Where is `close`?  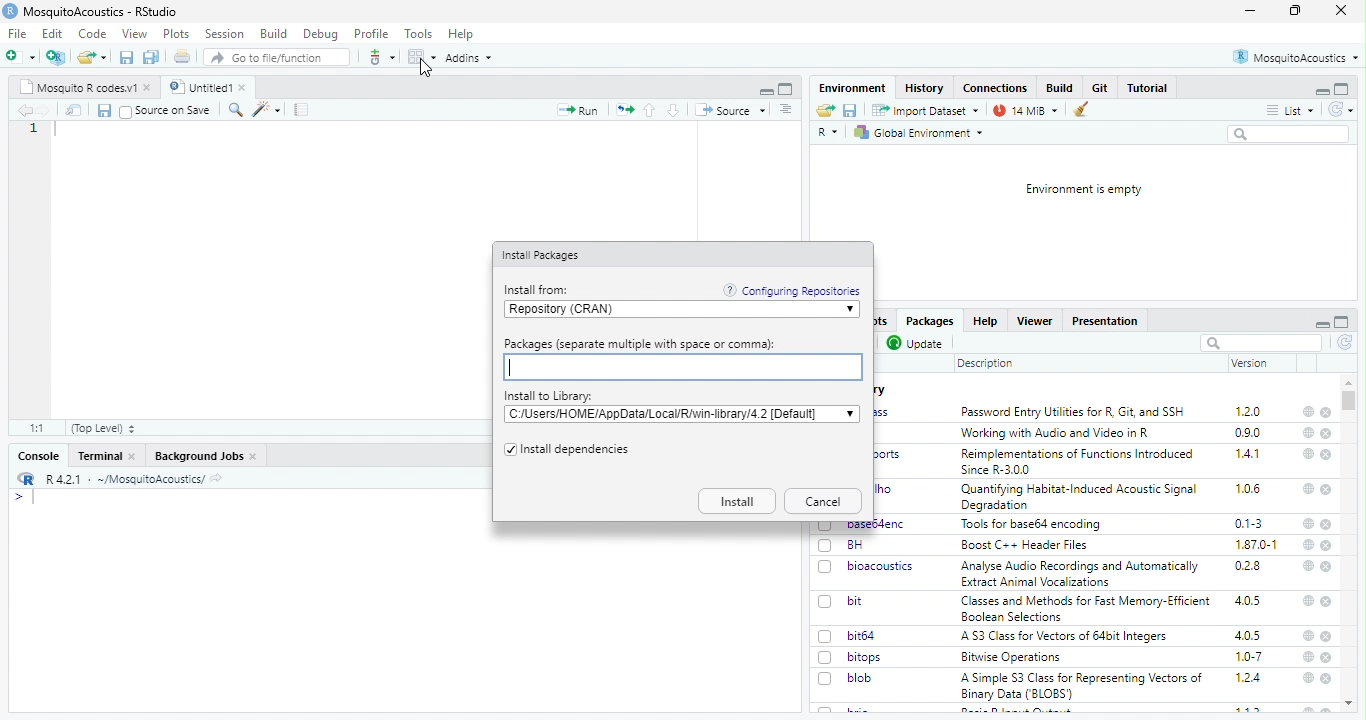
close is located at coordinates (149, 88).